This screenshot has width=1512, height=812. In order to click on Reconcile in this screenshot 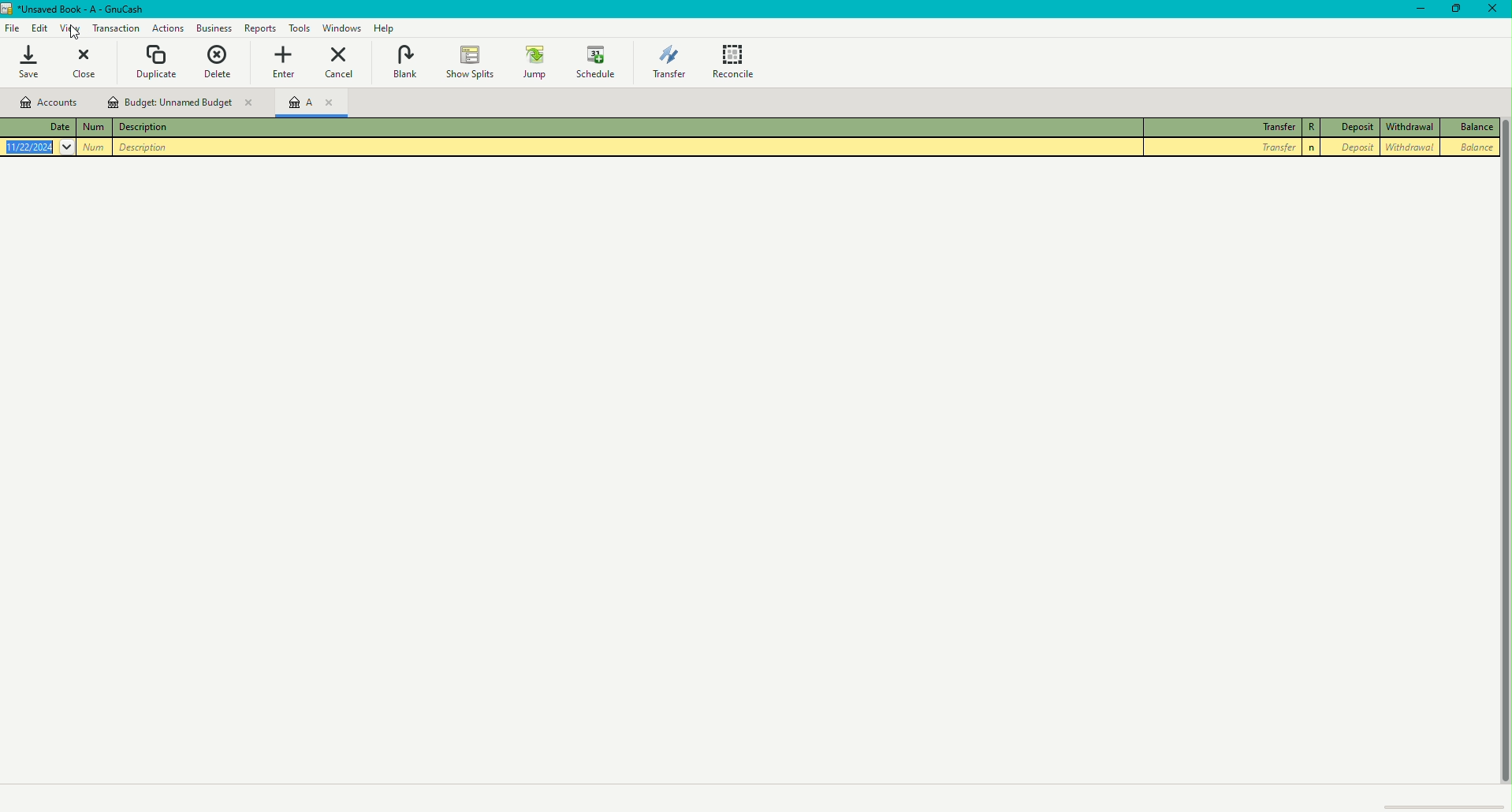, I will do `click(736, 60)`.